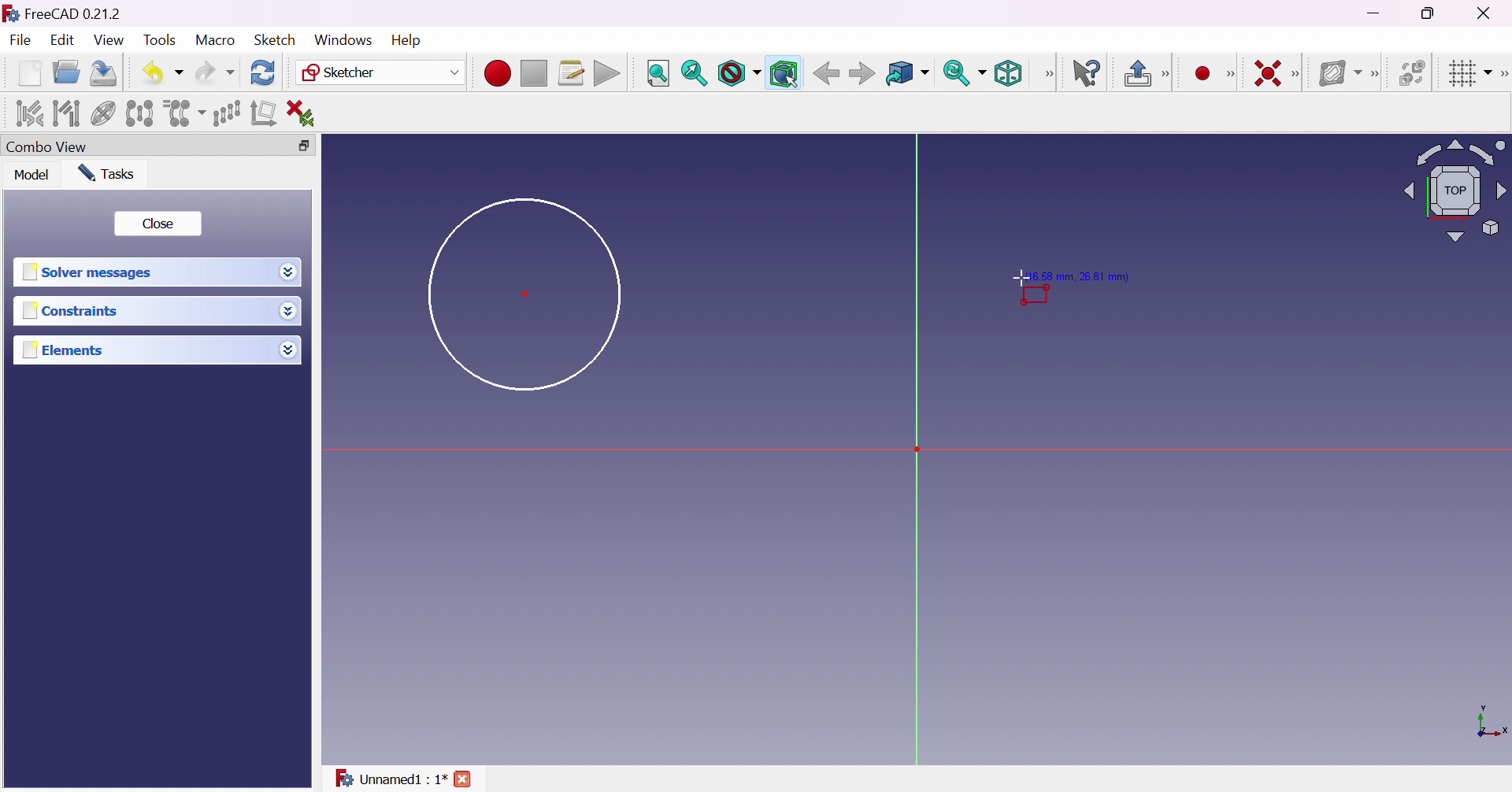  What do you see at coordinates (1379, 74) in the screenshot?
I see `[Sketcher B-spline tools]]` at bounding box center [1379, 74].